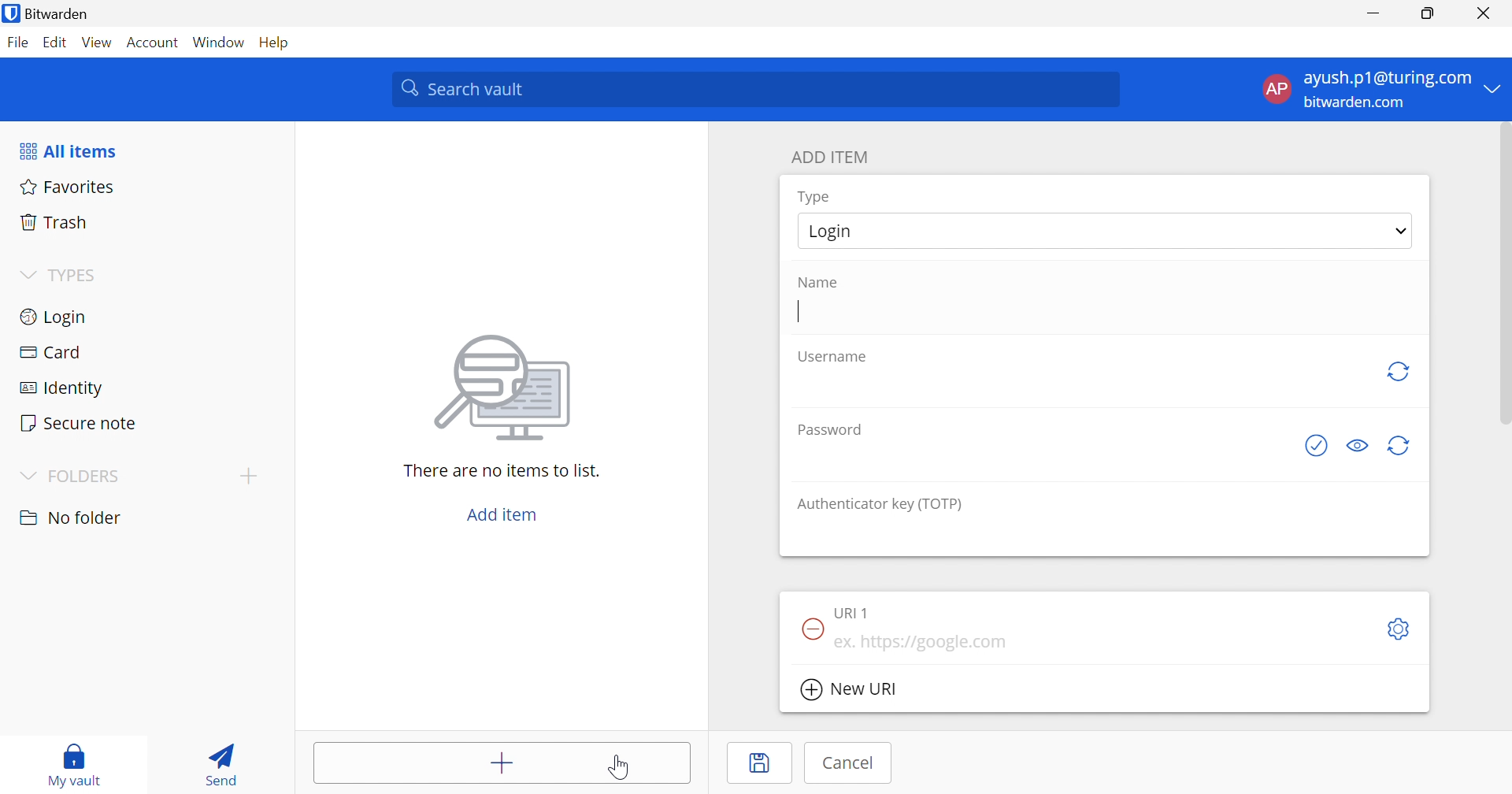 The width and height of the screenshot is (1512, 794). I want to click on Cursor, so click(799, 312).